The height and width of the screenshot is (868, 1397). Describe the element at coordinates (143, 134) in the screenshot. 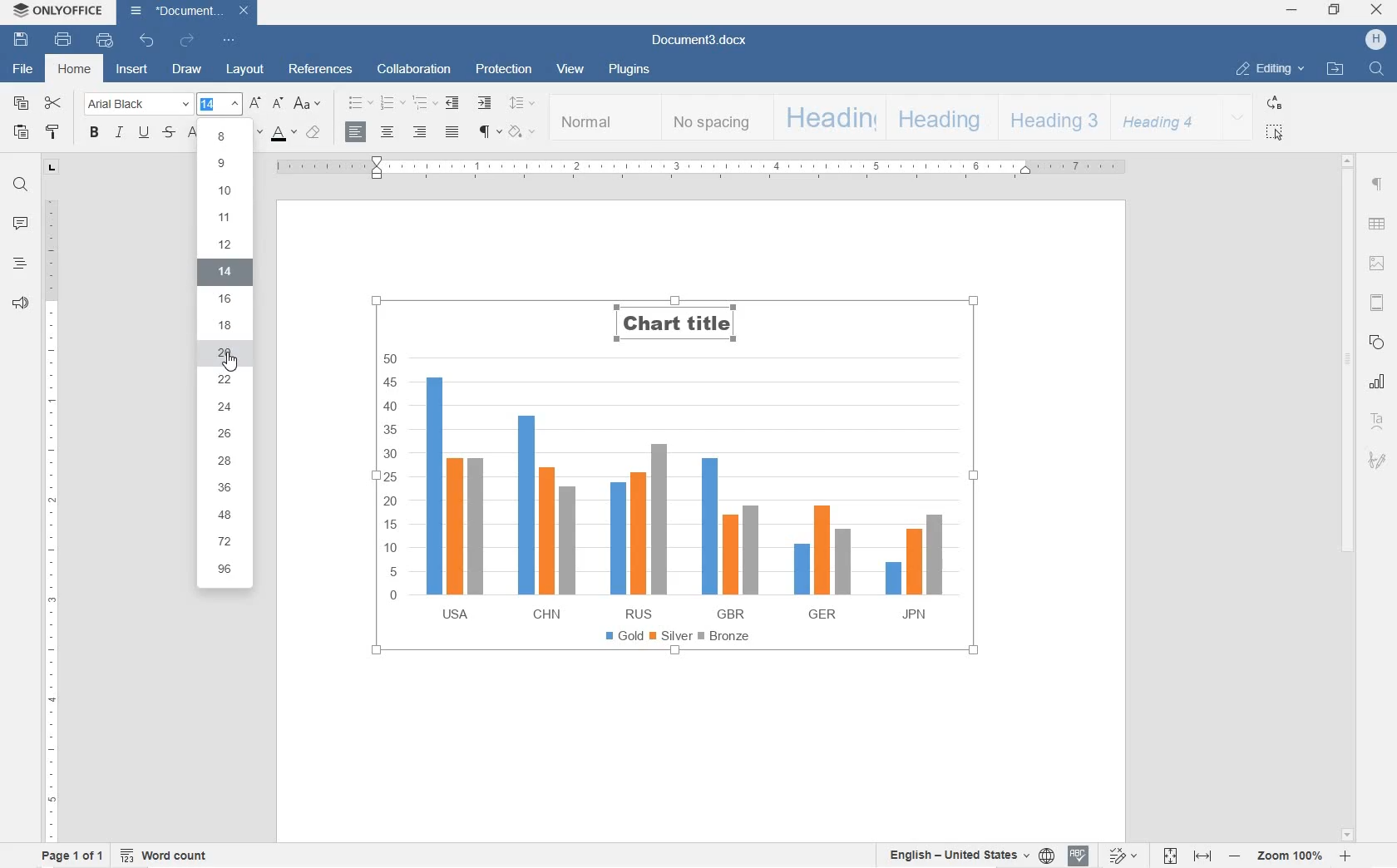

I see `UNDERLINE` at that location.